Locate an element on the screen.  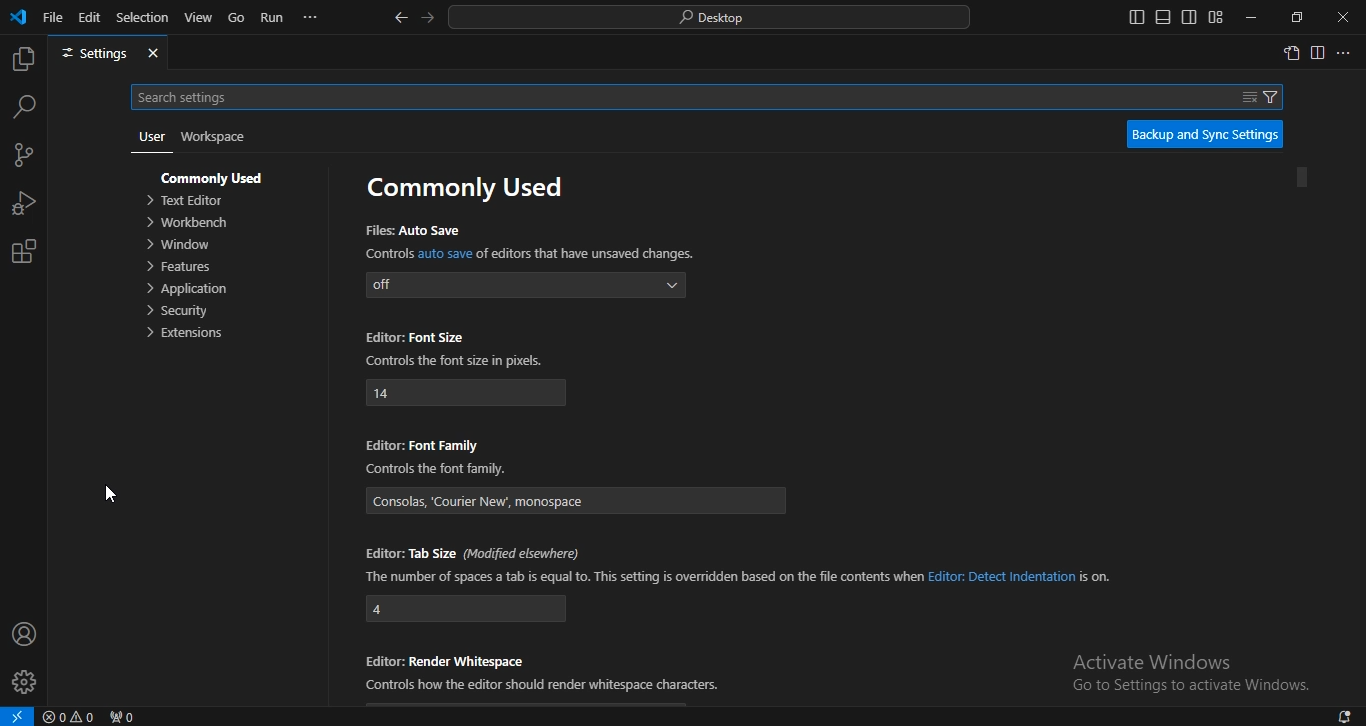
... is located at coordinates (312, 21).